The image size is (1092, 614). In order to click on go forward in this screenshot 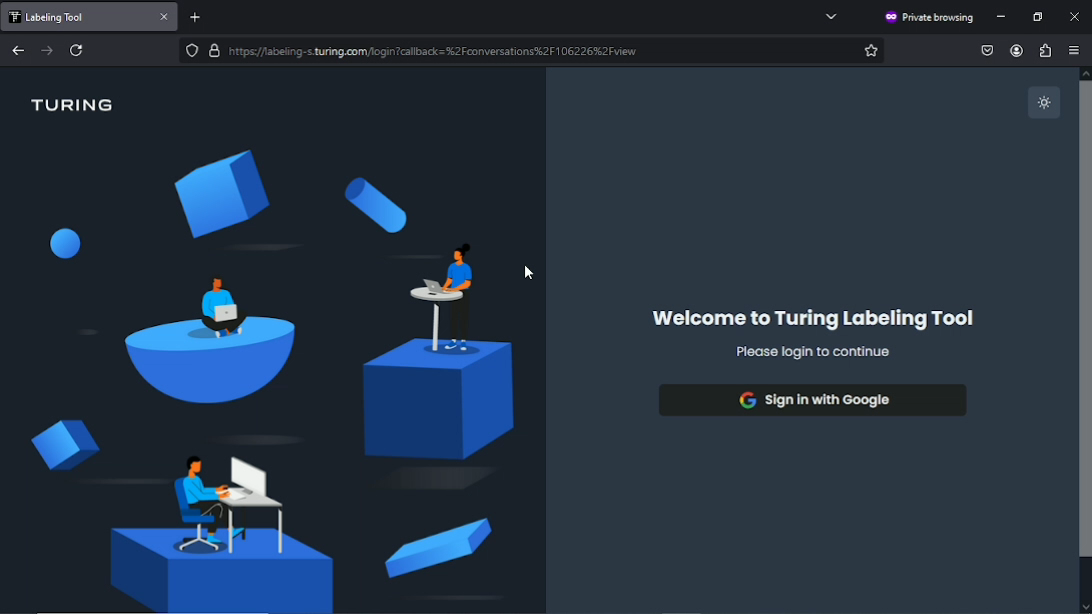, I will do `click(47, 49)`.